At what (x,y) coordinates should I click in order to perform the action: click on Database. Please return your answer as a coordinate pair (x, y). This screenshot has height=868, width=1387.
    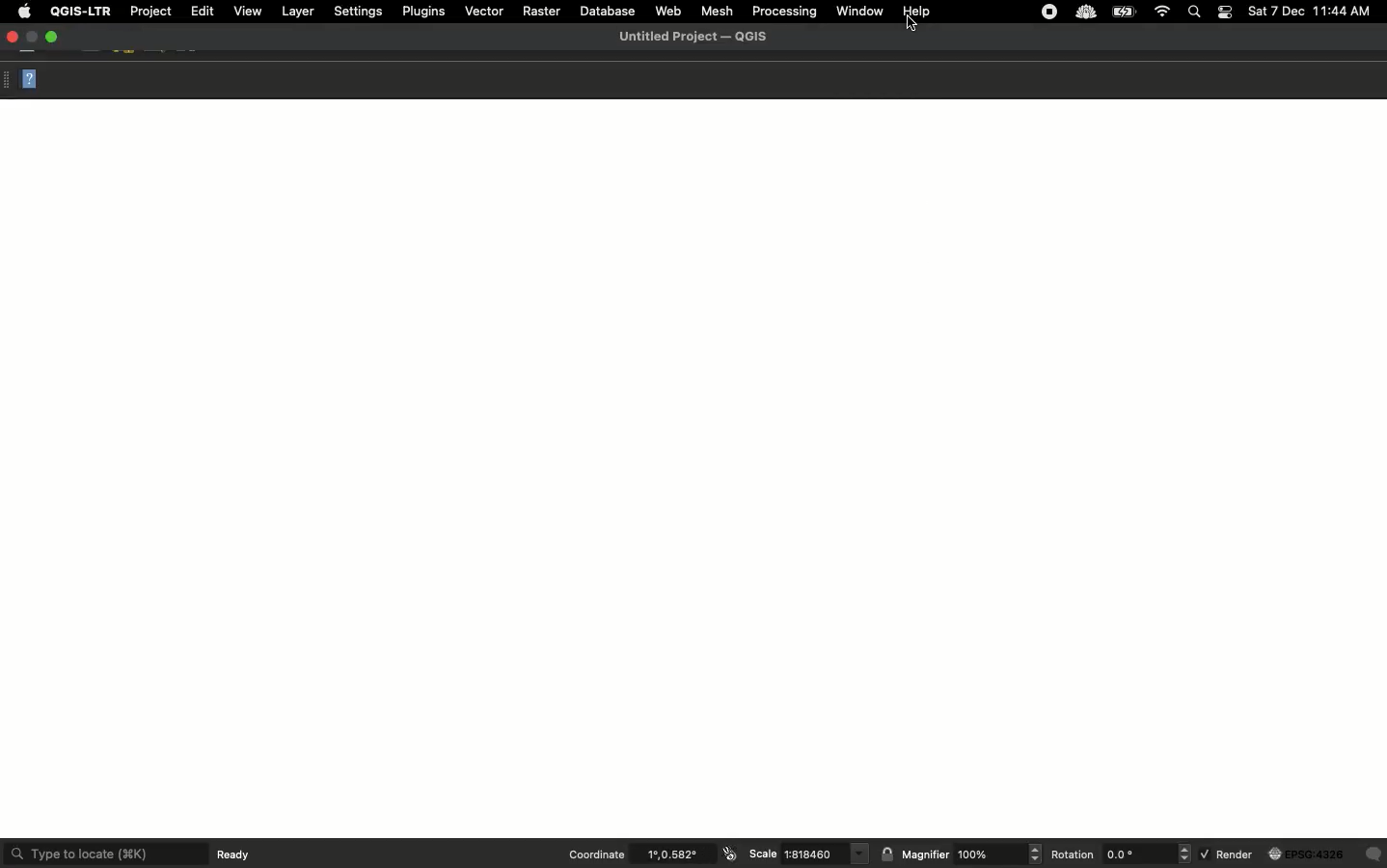
    Looking at the image, I should click on (609, 10).